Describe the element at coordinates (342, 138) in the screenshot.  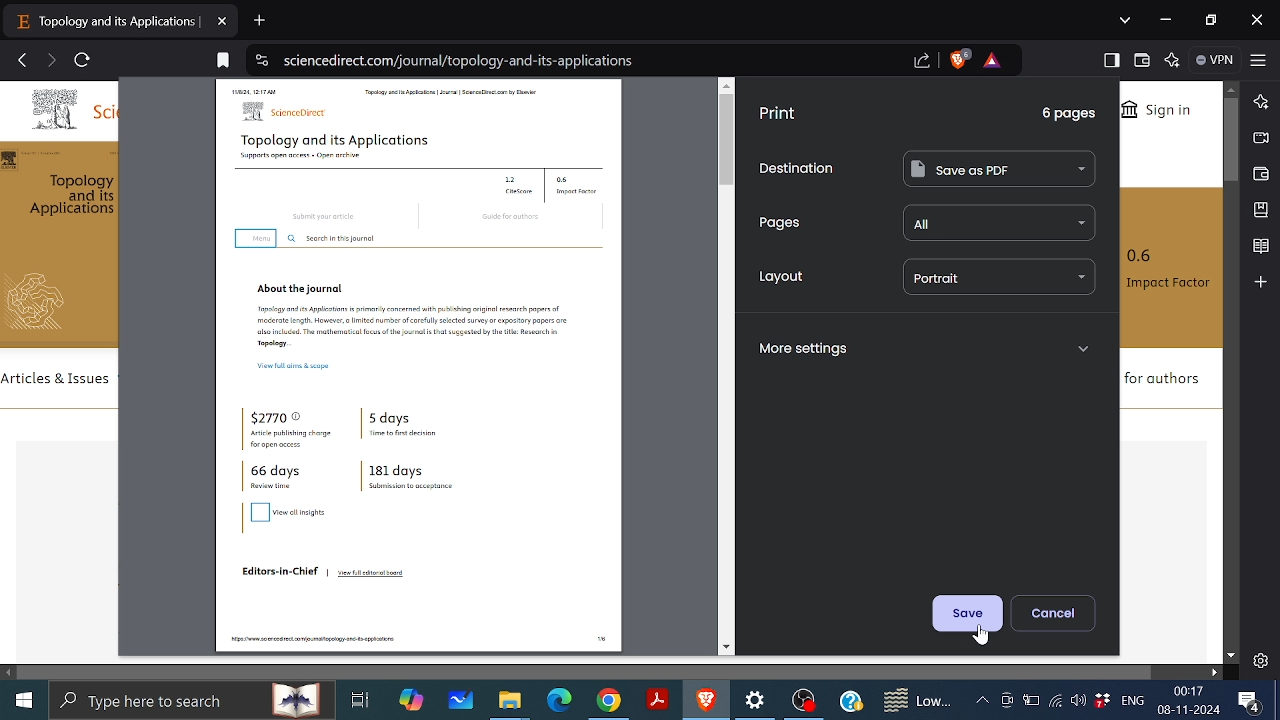
I see `Topoloay and its Applications` at that location.